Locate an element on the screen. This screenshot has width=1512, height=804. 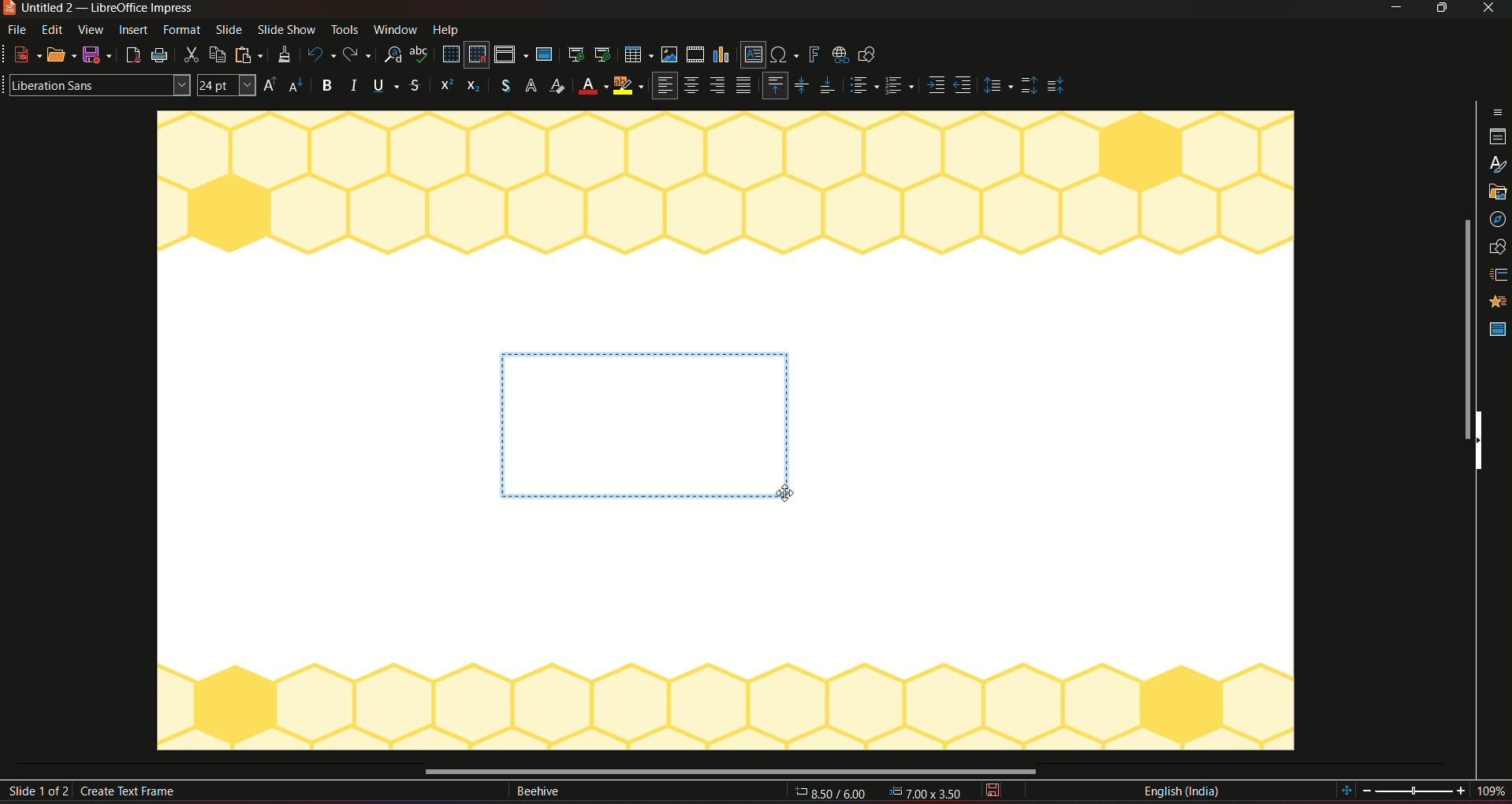
minimize is located at coordinates (1394, 9).